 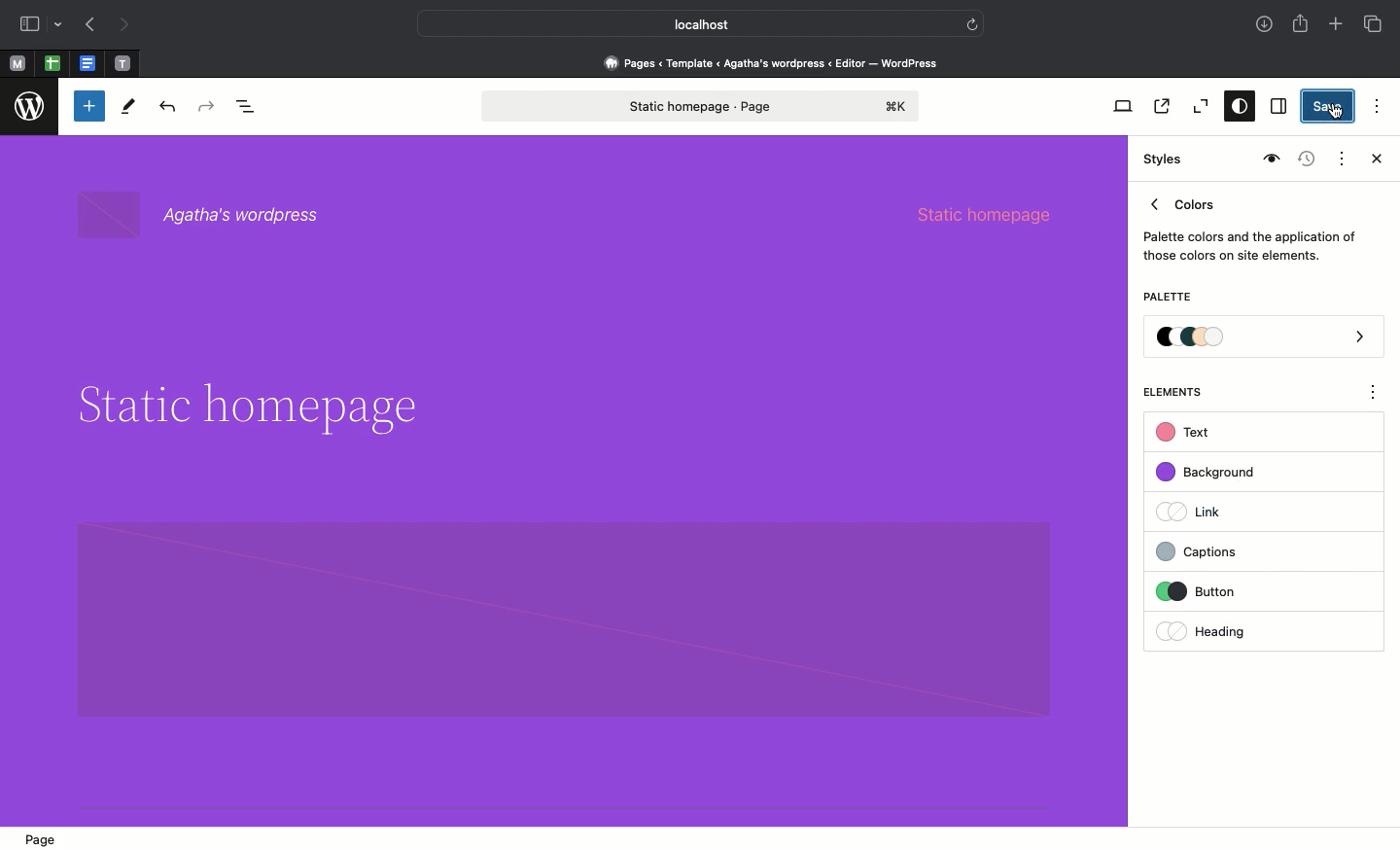 What do you see at coordinates (210, 216) in the screenshot?
I see `wordpress name` at bounding box center [210, 216].